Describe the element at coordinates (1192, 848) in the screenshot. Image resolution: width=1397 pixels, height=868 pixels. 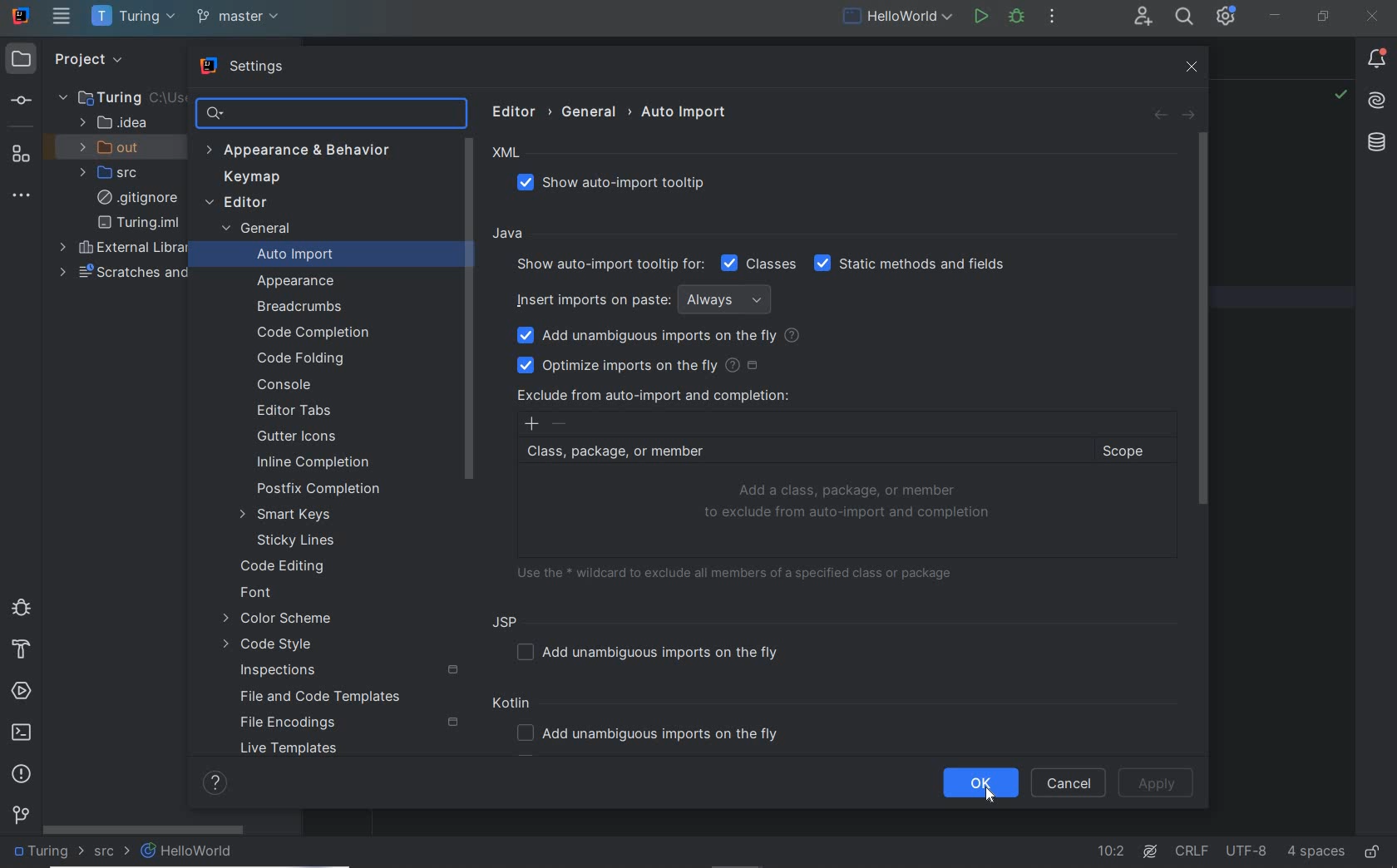
I see `LINE SEPARATOR` at that location.